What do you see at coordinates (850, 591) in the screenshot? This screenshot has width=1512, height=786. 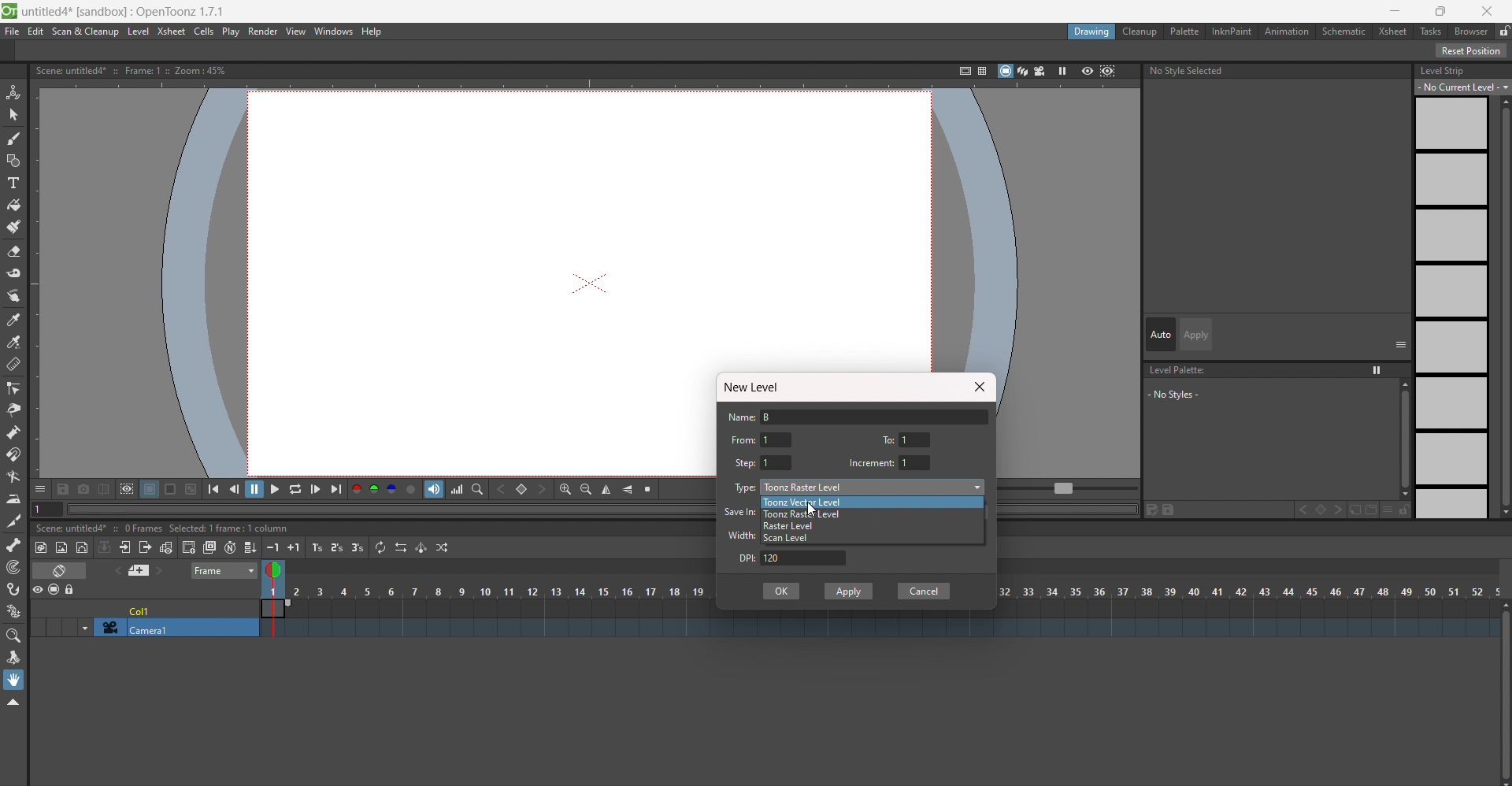 I see `apply` at bounding box center [850, 591].